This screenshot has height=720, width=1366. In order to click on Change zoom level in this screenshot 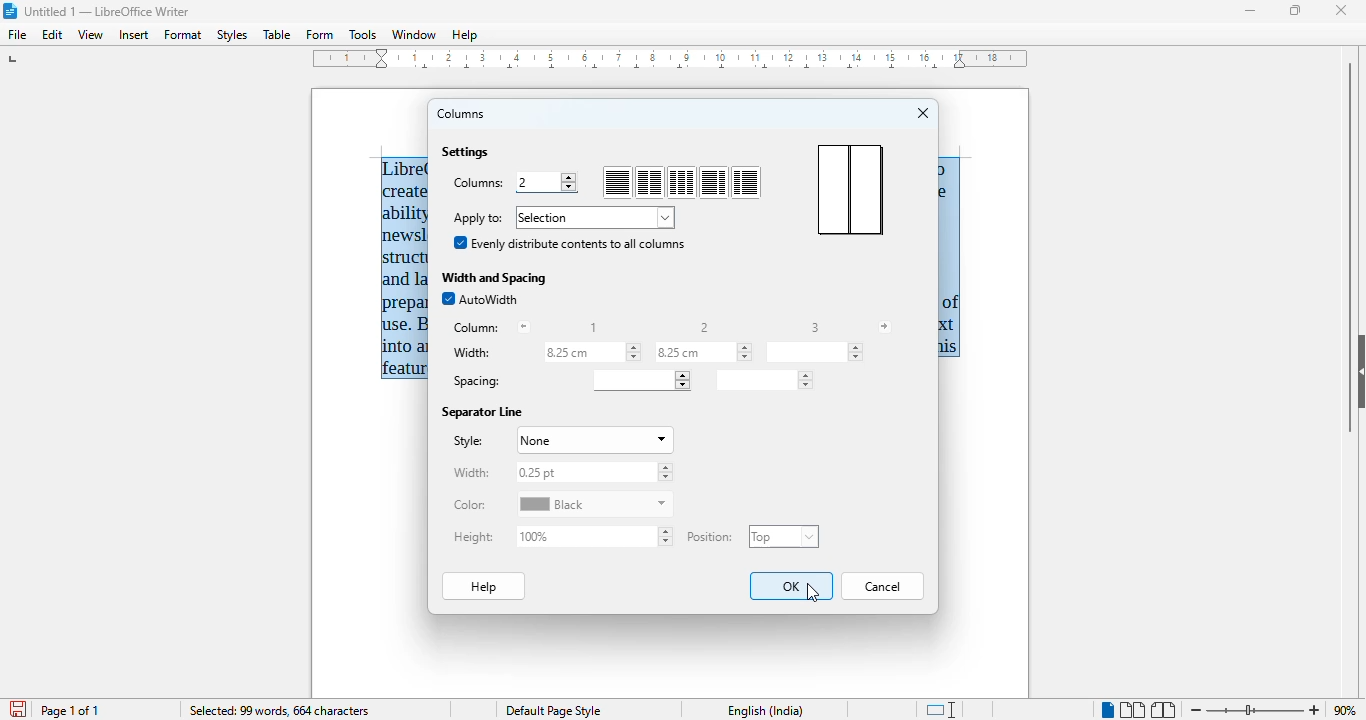, I will do `click(1256, 710)`.